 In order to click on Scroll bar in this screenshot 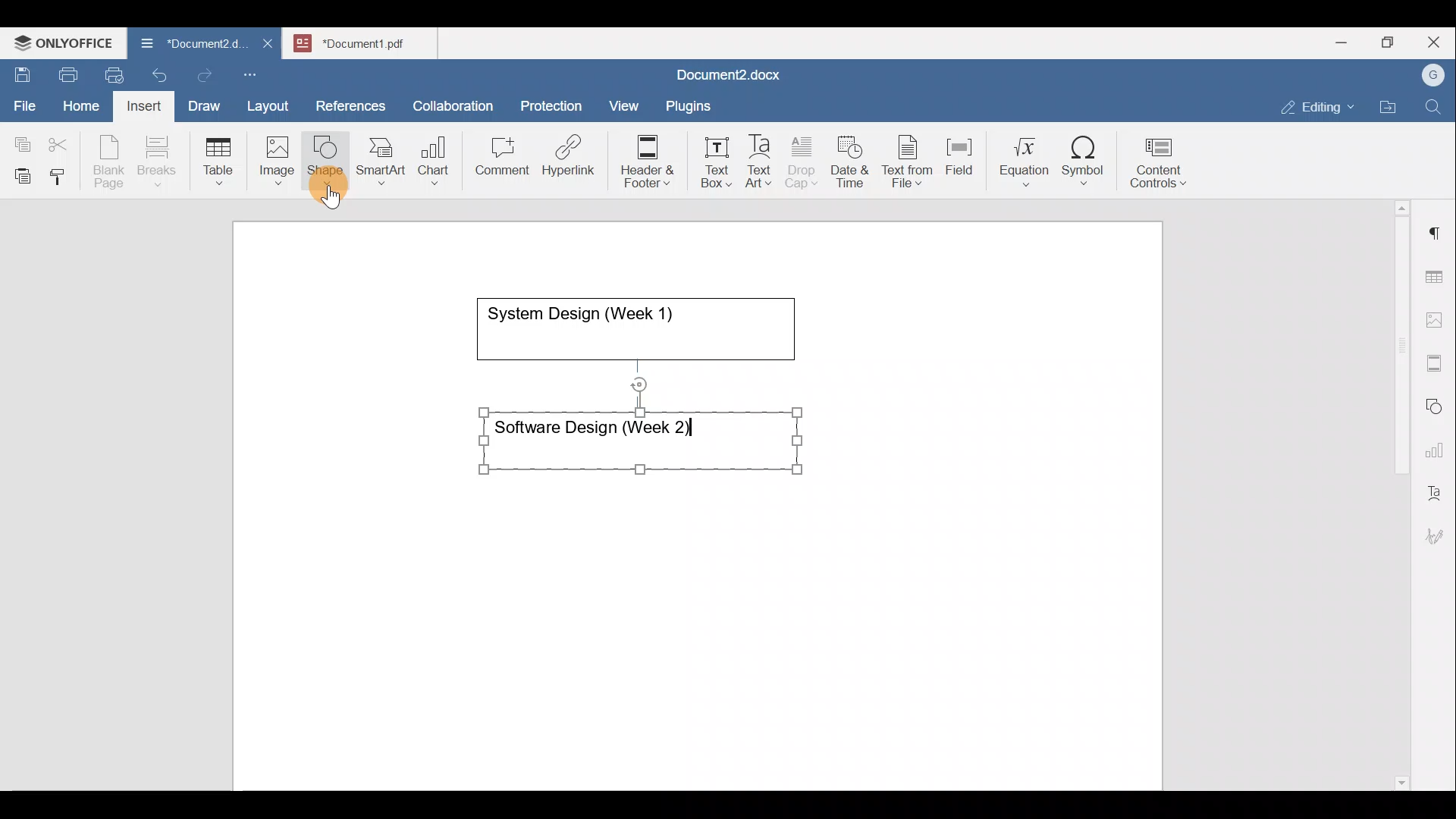, I will do `click(1396, 492)`.